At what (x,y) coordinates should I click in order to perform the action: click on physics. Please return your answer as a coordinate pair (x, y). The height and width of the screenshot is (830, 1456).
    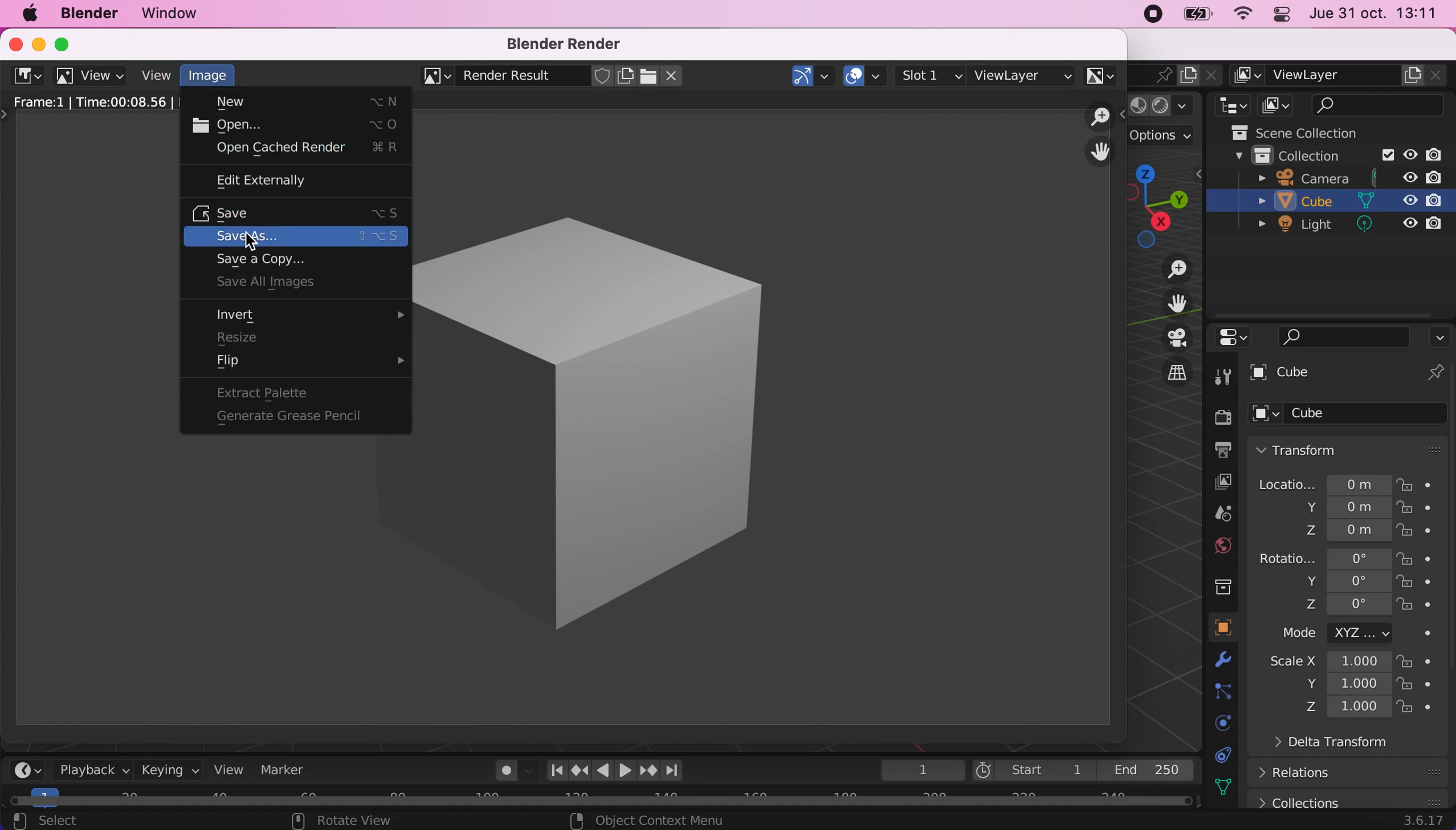
    Looking at the image, I should click on (1229, 663).